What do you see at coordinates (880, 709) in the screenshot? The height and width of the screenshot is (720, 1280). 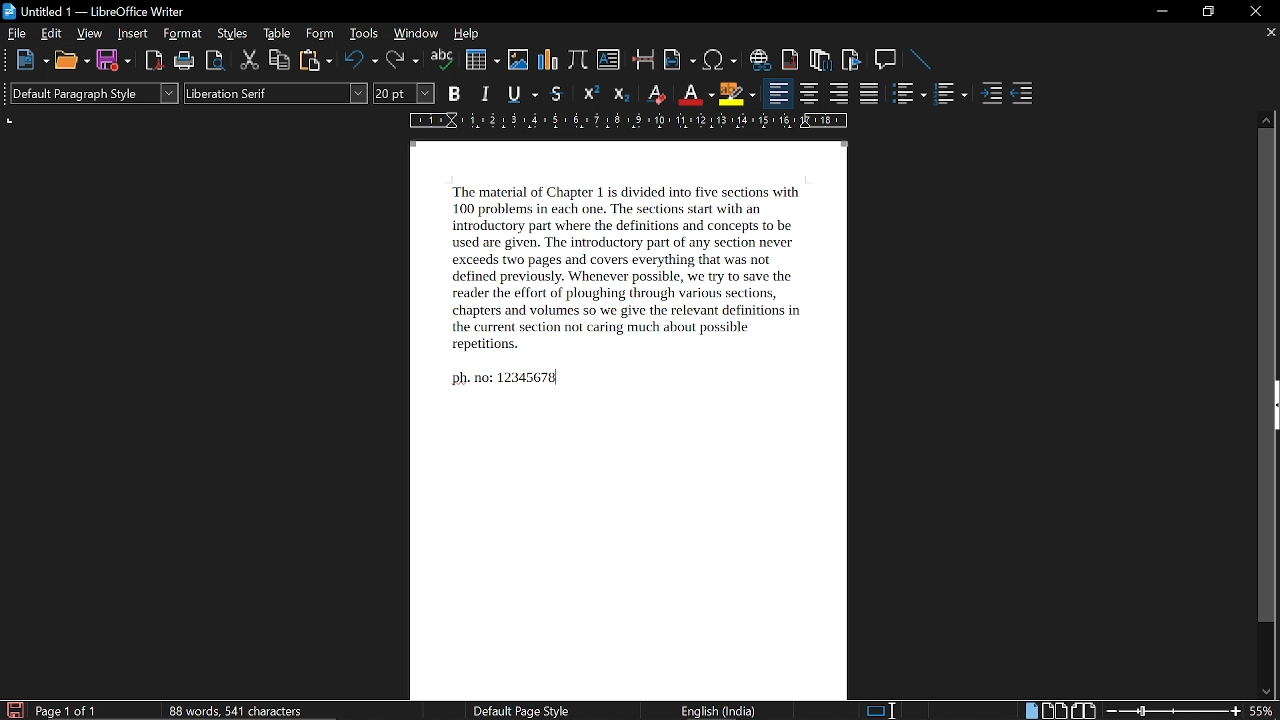 I see `standard selection` at bounding box center [880, 709].